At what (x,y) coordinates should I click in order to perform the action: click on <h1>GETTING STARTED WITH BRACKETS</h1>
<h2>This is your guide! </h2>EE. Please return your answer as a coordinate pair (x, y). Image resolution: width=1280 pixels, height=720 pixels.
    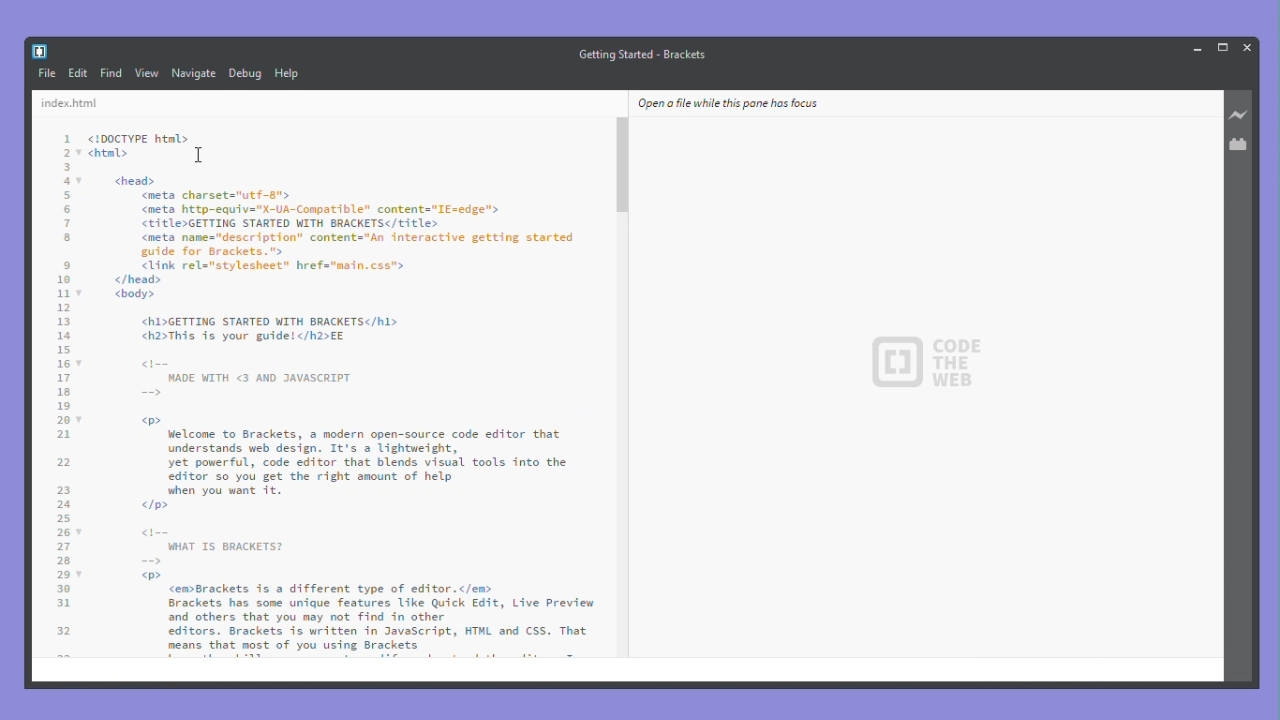
    Looking at the image, I should click on (269, 329).